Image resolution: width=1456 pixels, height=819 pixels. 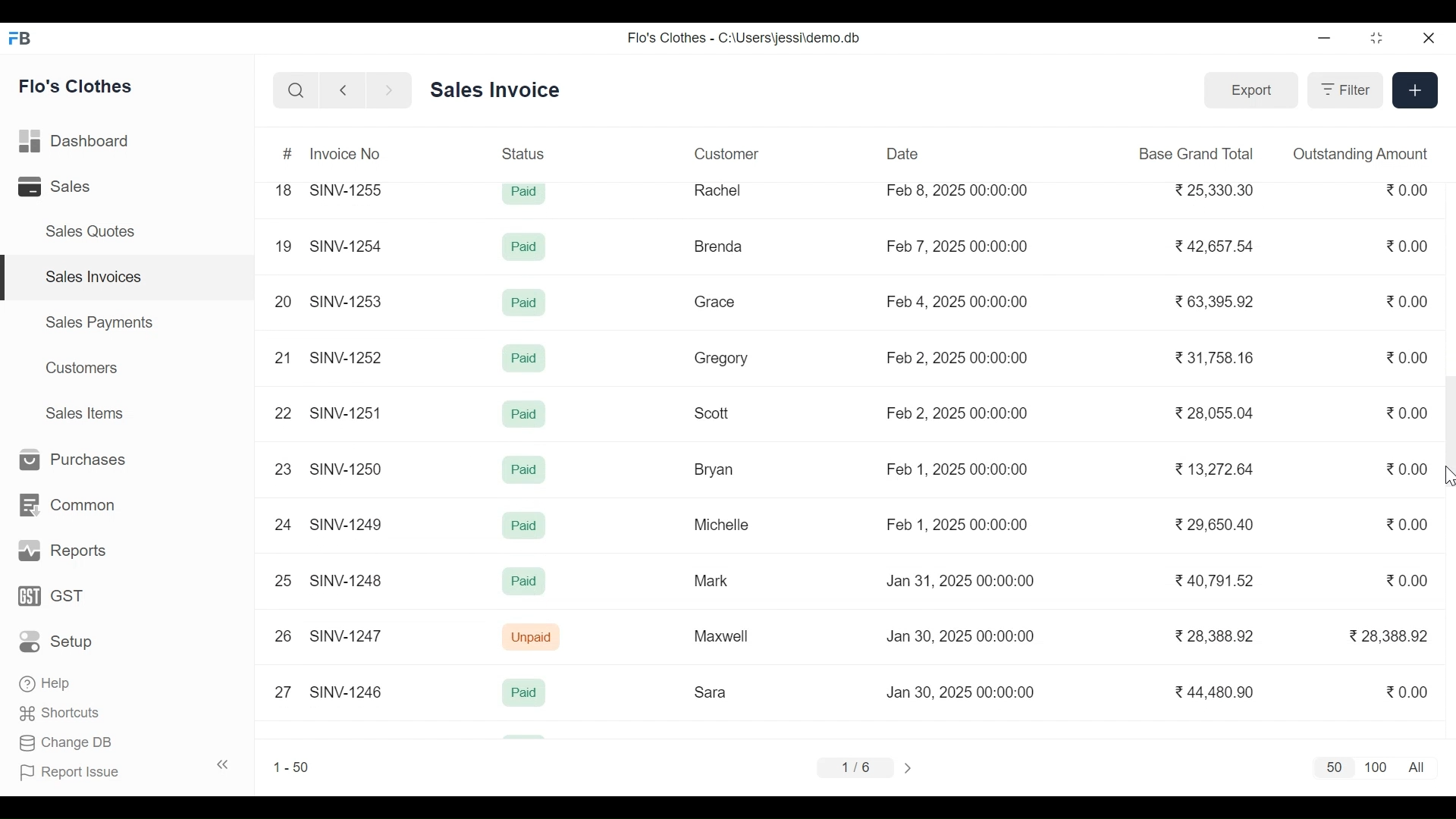 I want to click on Paid, so click(x=524, y=581).